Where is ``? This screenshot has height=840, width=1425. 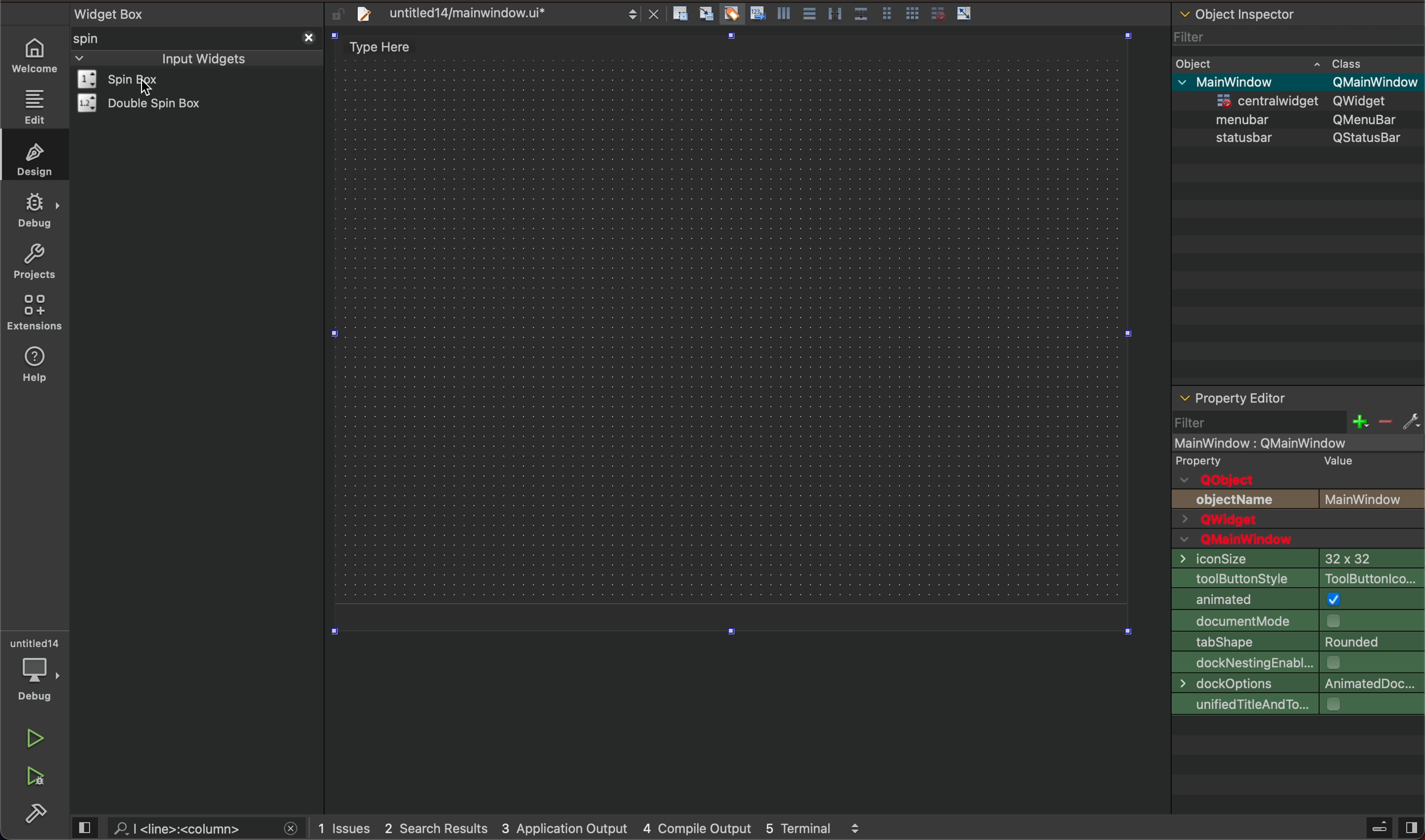  is located at coordinates (1248, 118).